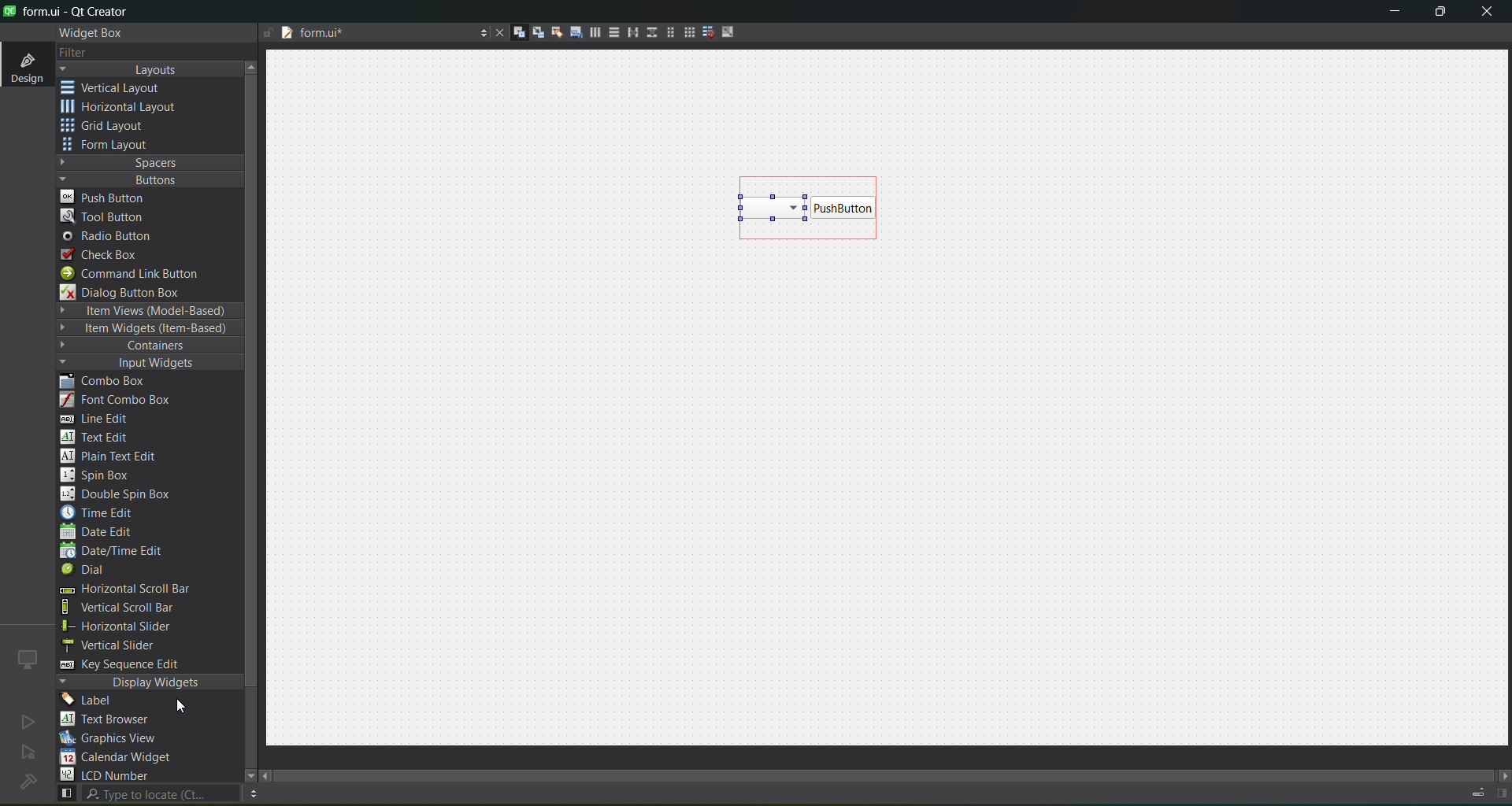 This screenshot has height=806, width=1512. I want to click on move right, so click(1503, 777).